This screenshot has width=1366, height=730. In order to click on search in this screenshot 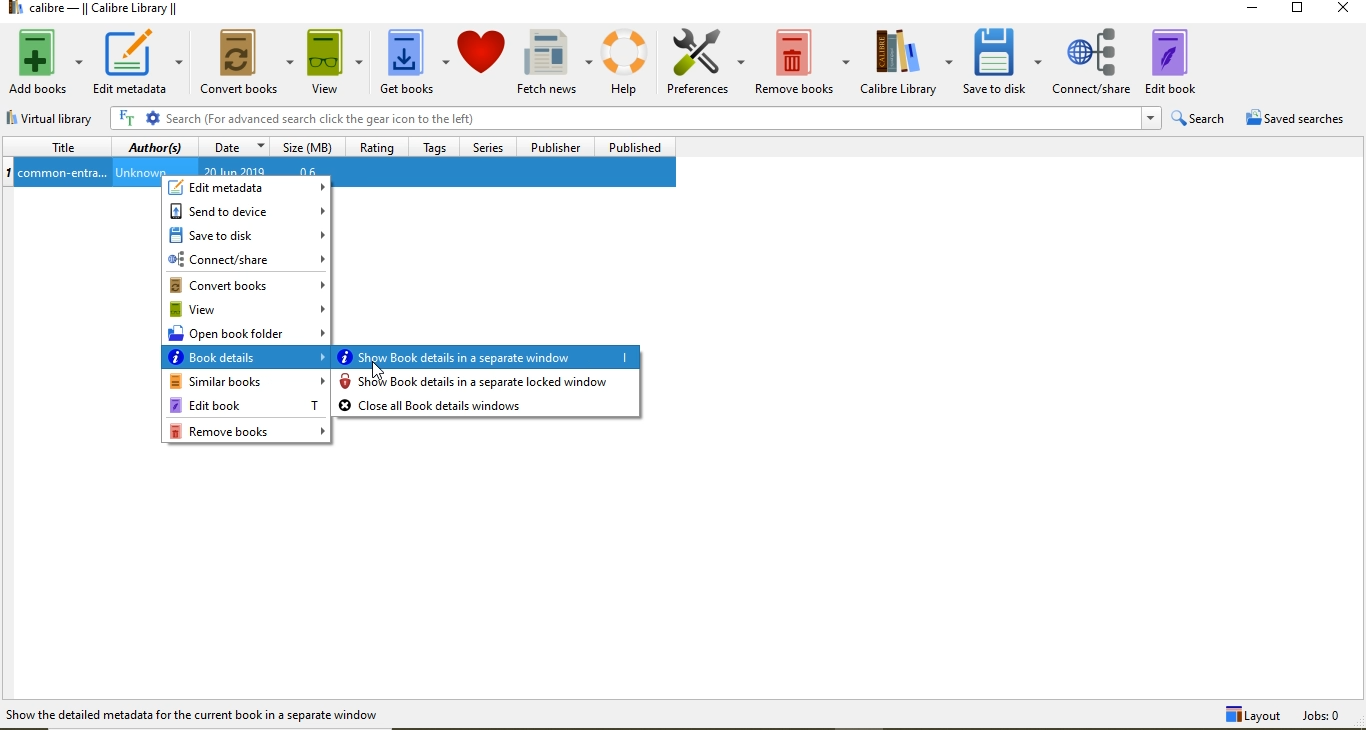, I will do `click(1197, 119)`.